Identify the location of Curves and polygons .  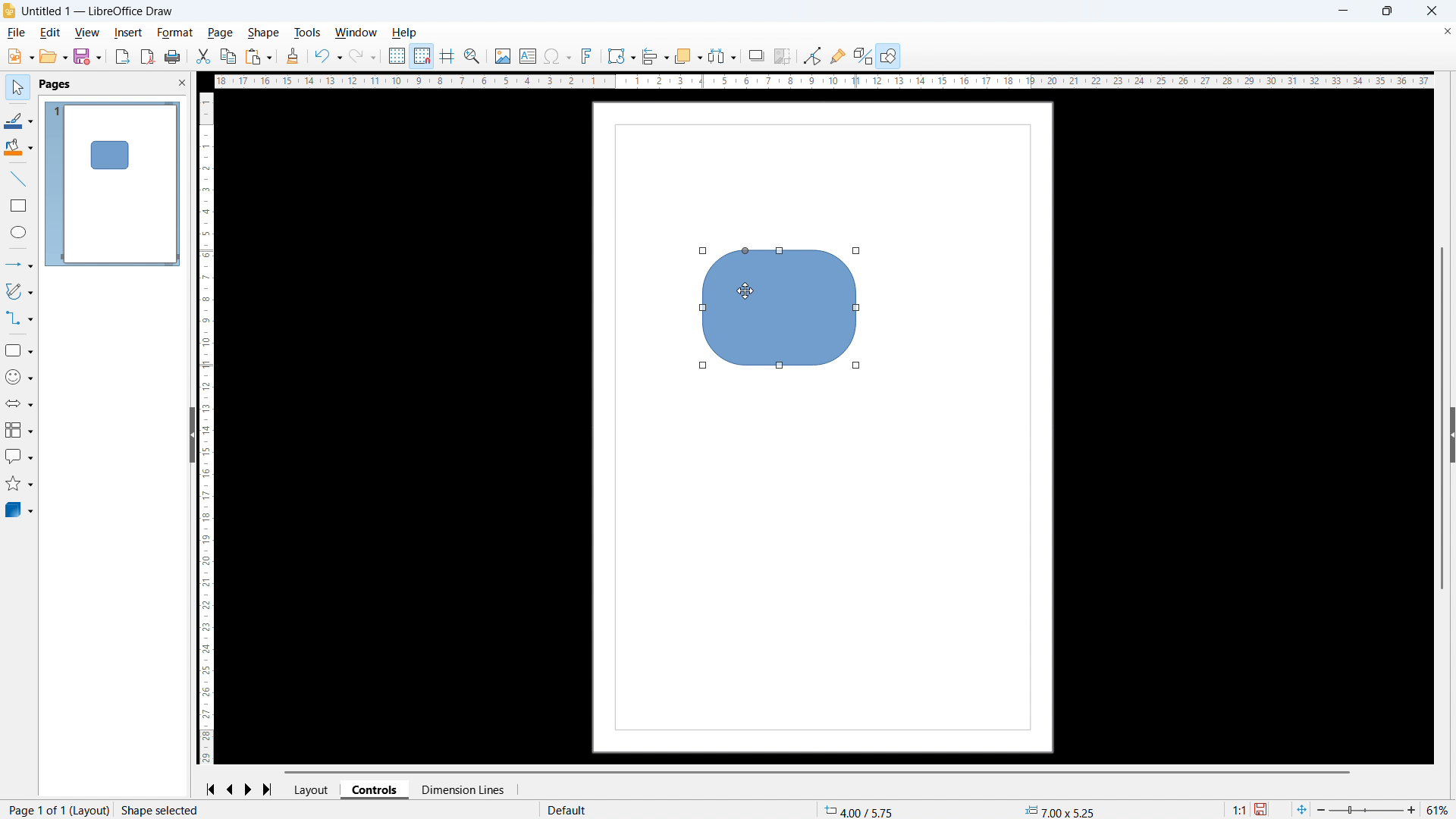
(19, 291).